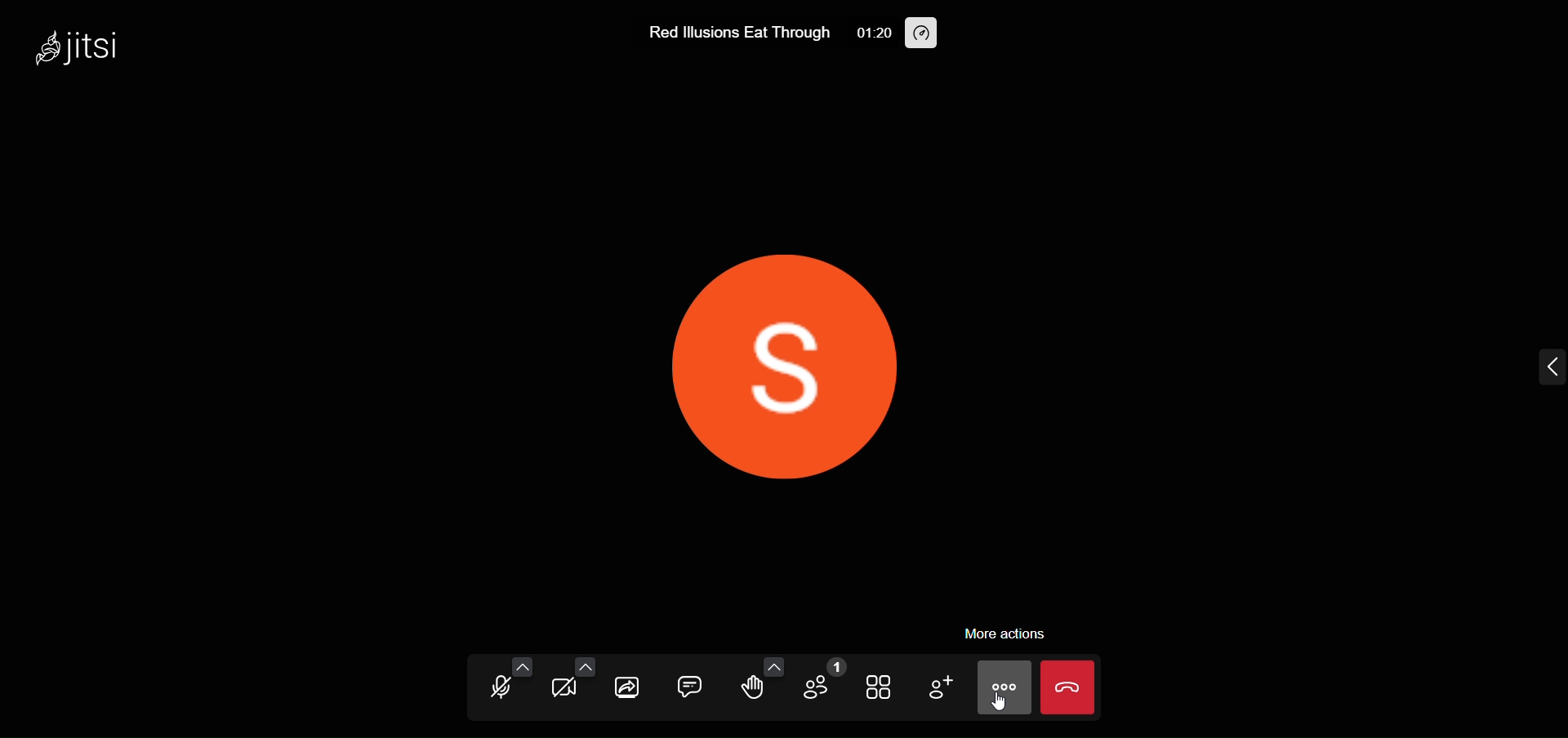 Image resolution: width=1568 pixels, height=738 pixels. Describe the element at coordinates (817, 683) in the screenshot. I see `participants` at that location.